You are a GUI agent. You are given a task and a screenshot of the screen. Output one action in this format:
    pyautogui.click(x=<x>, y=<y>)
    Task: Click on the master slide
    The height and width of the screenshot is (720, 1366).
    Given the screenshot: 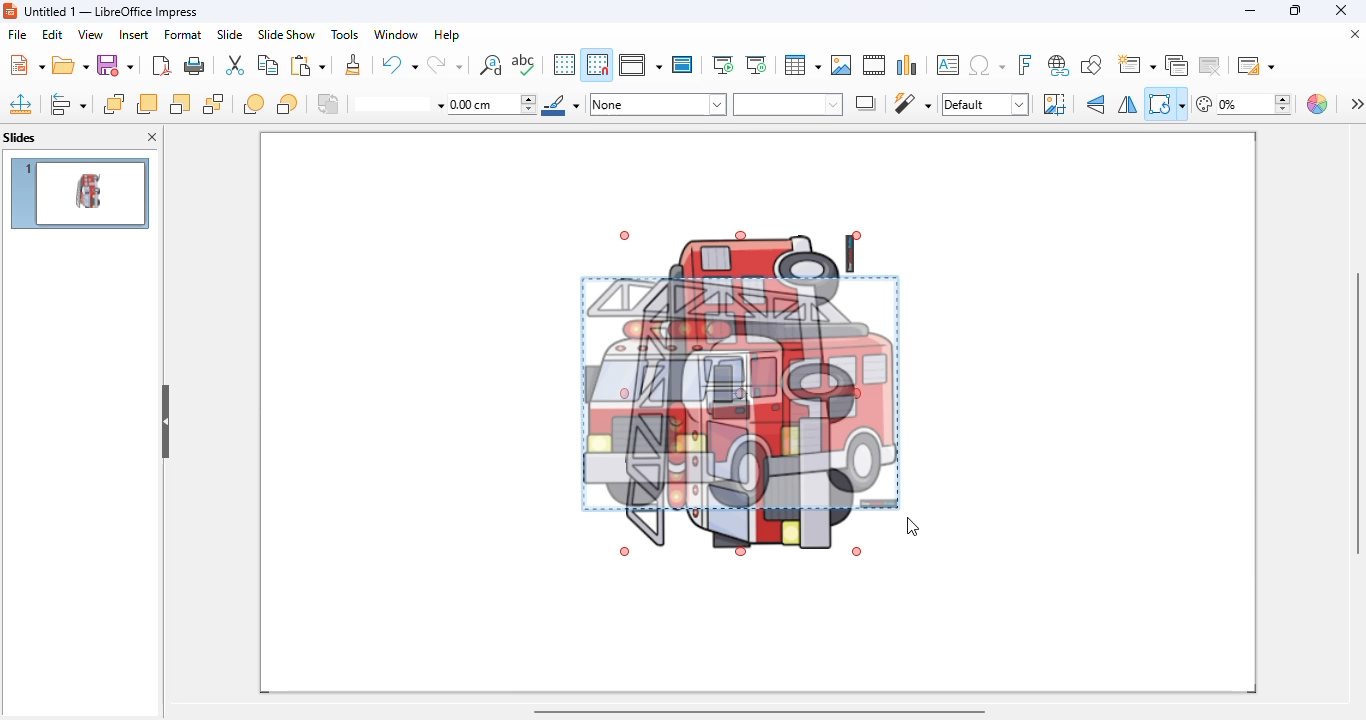 What is the action you would take?
    pyautogui.click(x=683, y=64)
    